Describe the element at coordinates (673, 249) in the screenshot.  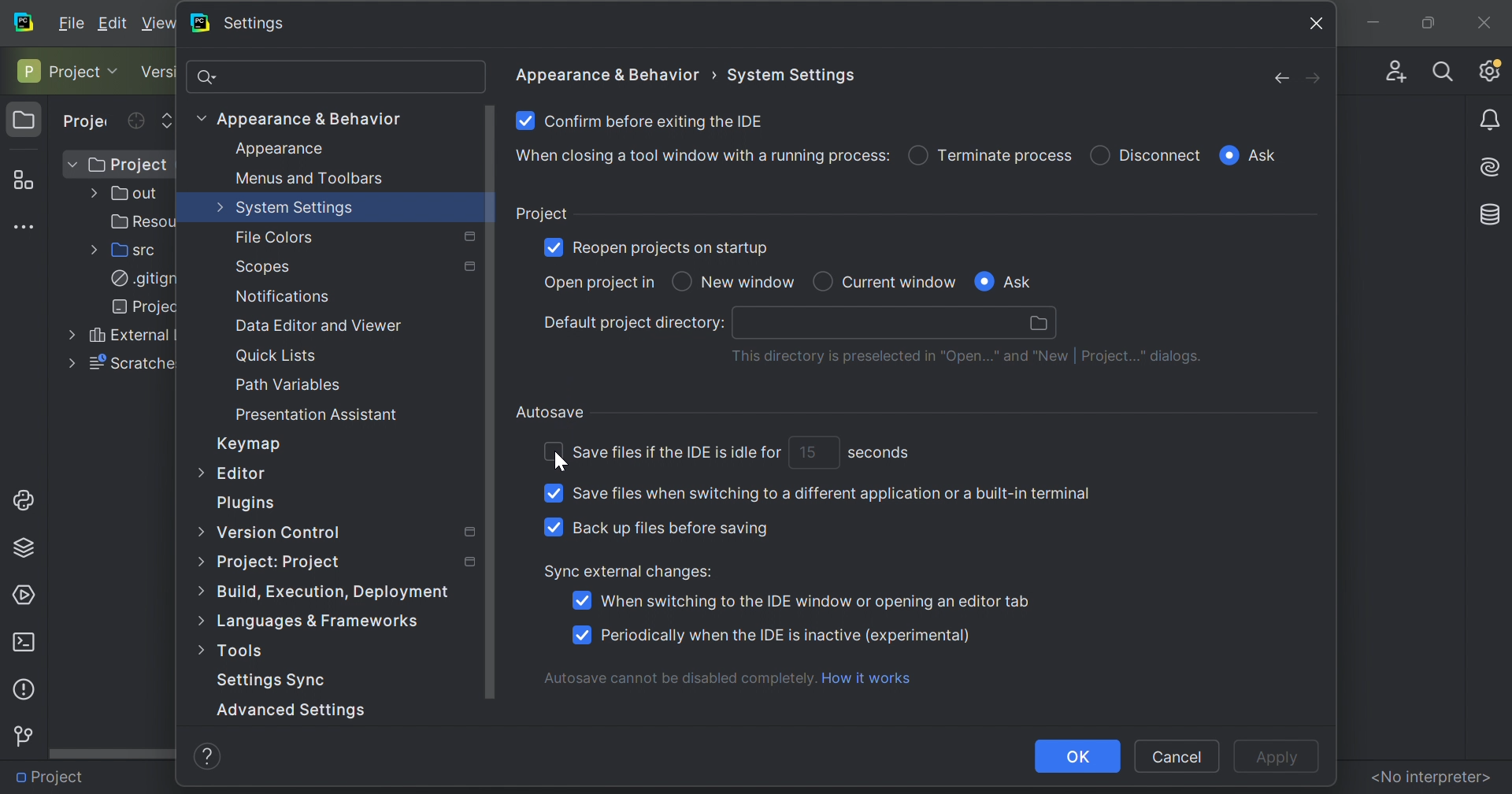
I see `Reopen projects on startup` at that location.